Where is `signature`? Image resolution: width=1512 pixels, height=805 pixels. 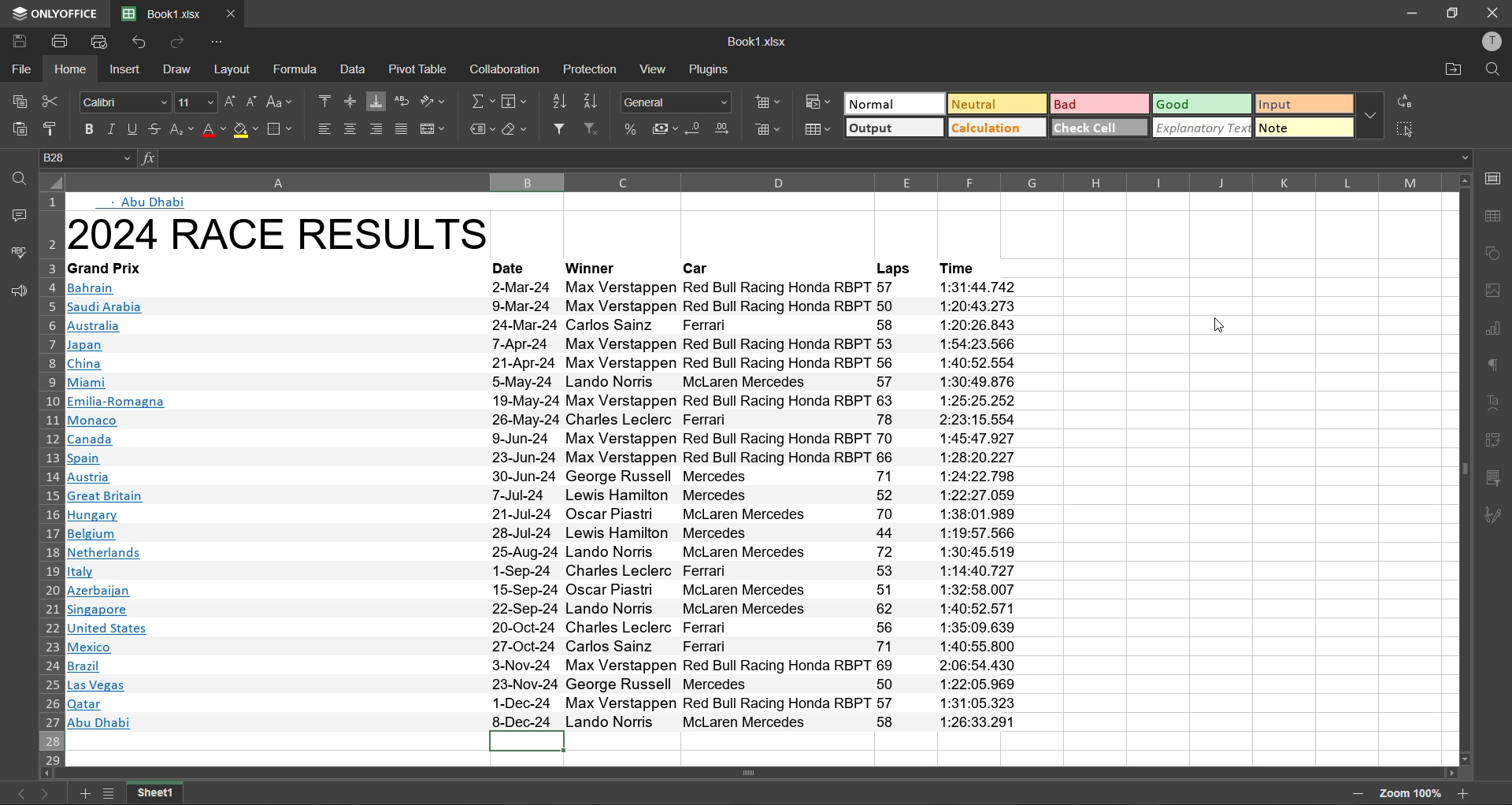
signature is located at coordinates (1498, 514).